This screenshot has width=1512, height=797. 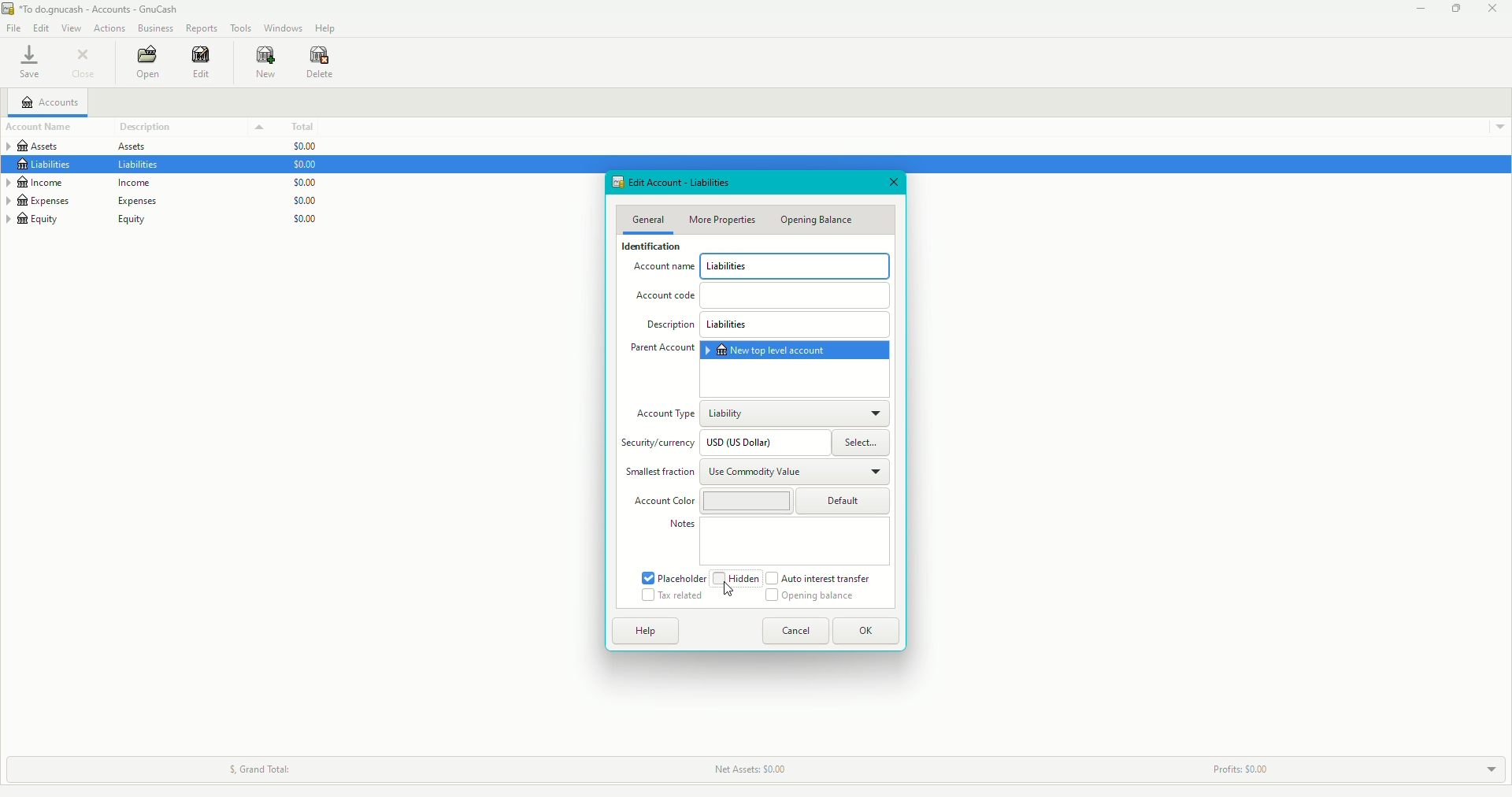 I want to click on Total, so click(x=298, y=126).